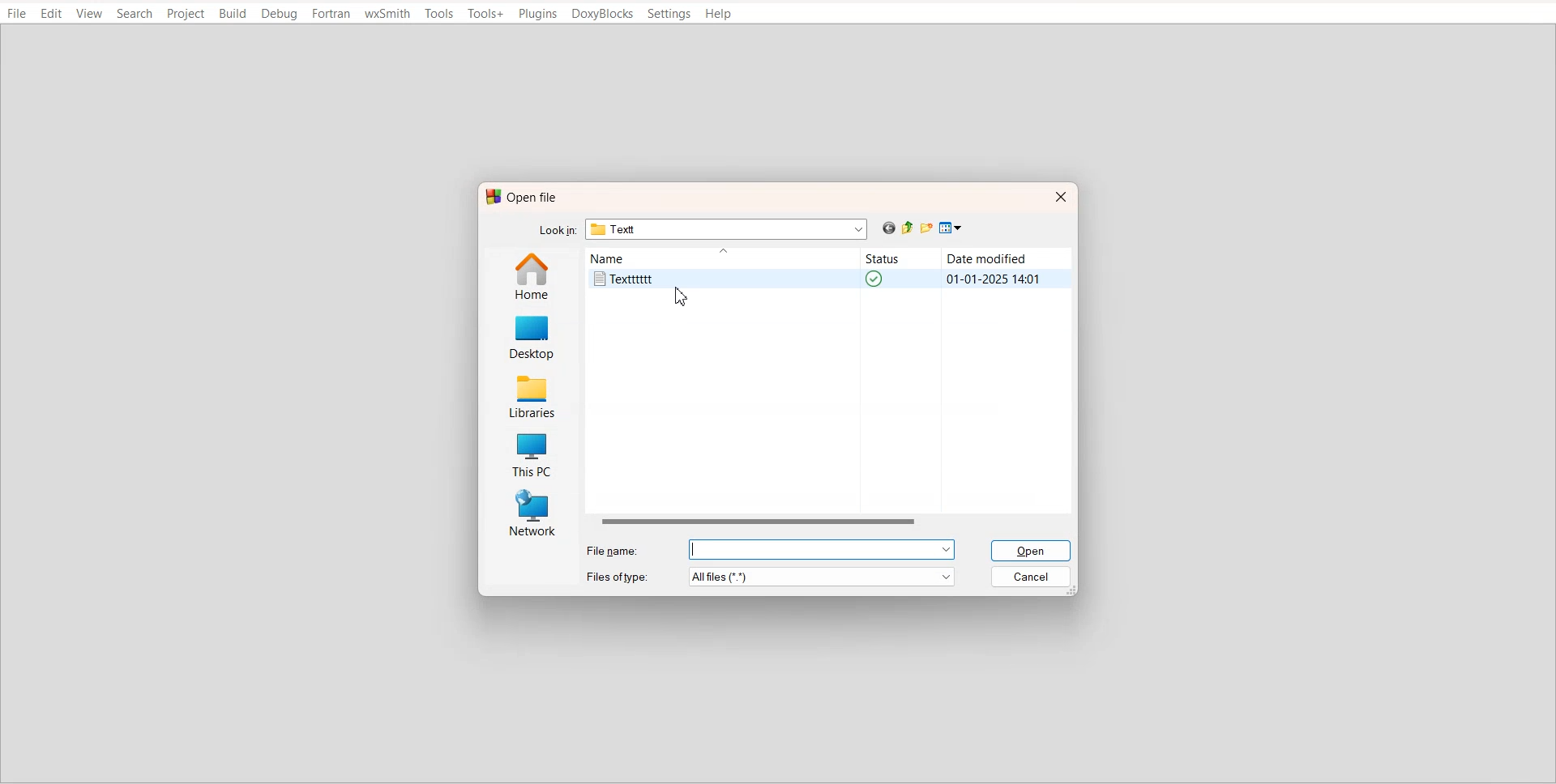  What do you see at coordinates (135, 13) in the screenshot?
I see `Search` at bounding box center [135, 13].